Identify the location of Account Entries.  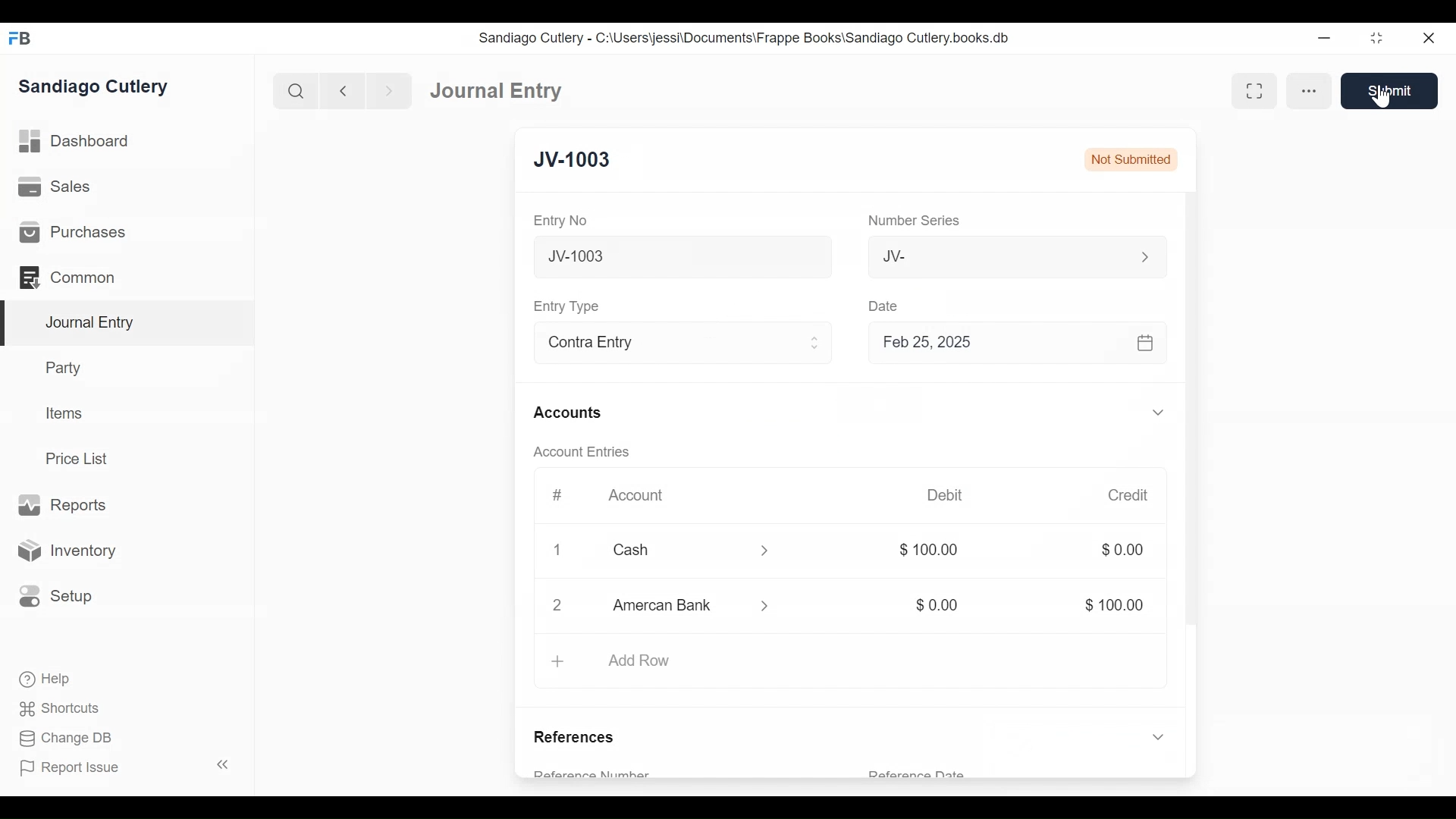
(588, 452).